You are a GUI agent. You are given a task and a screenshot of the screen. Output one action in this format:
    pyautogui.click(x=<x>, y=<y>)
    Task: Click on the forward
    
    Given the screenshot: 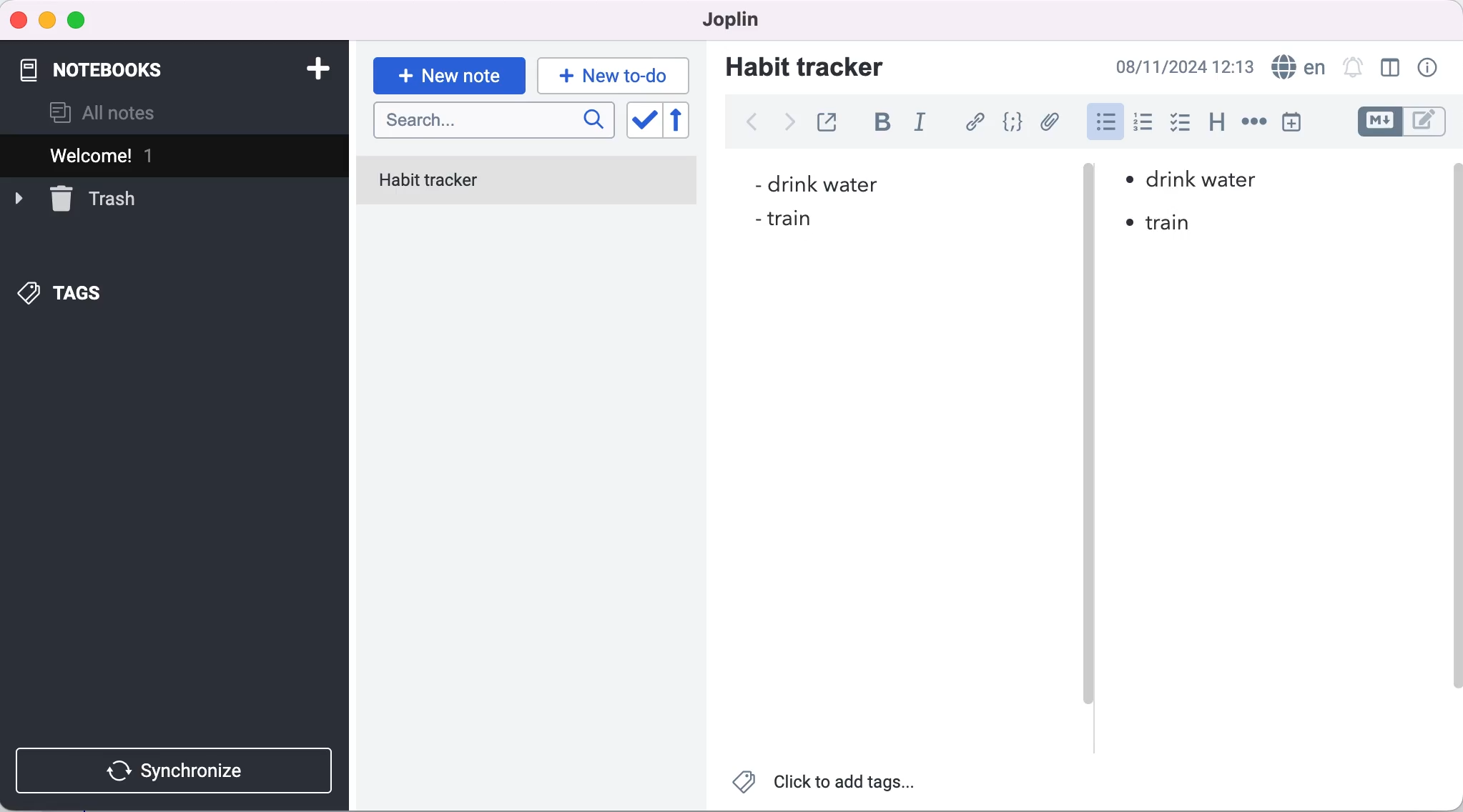 What is the action you would take?
    pyautogui.click(x=787, y=127)
    